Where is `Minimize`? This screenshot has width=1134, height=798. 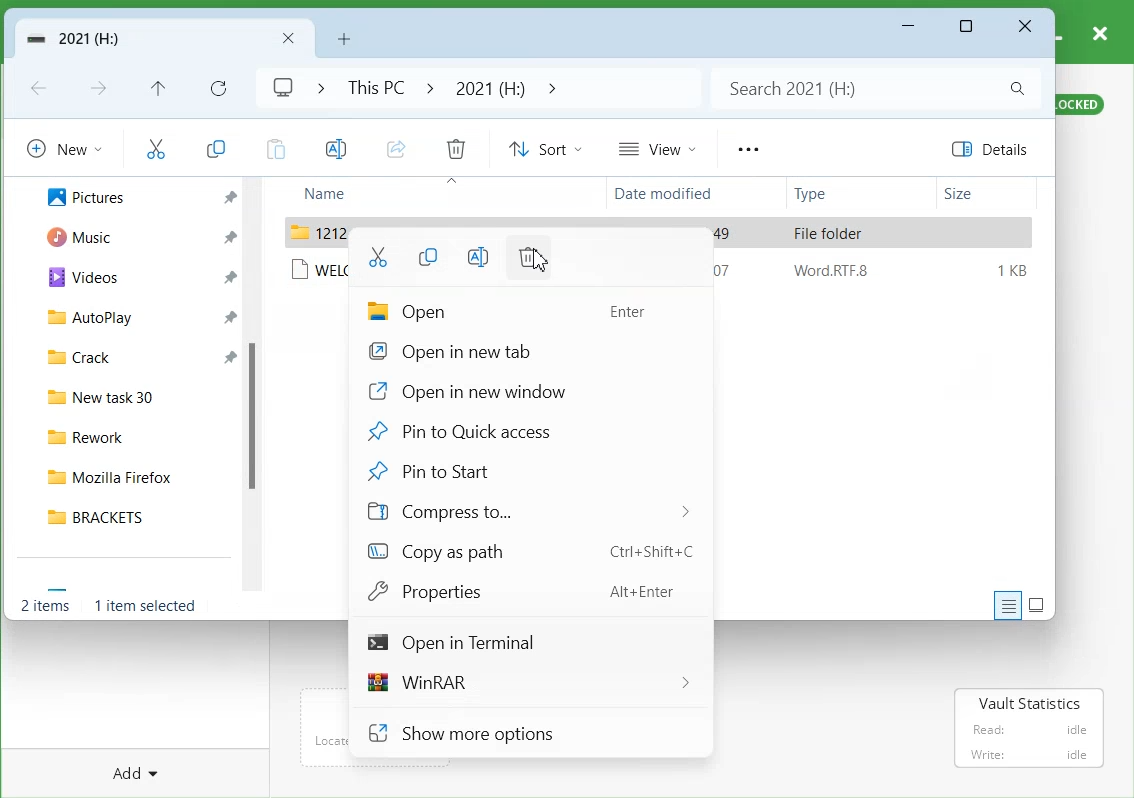 Minimize is located at coordinates (909, 27).